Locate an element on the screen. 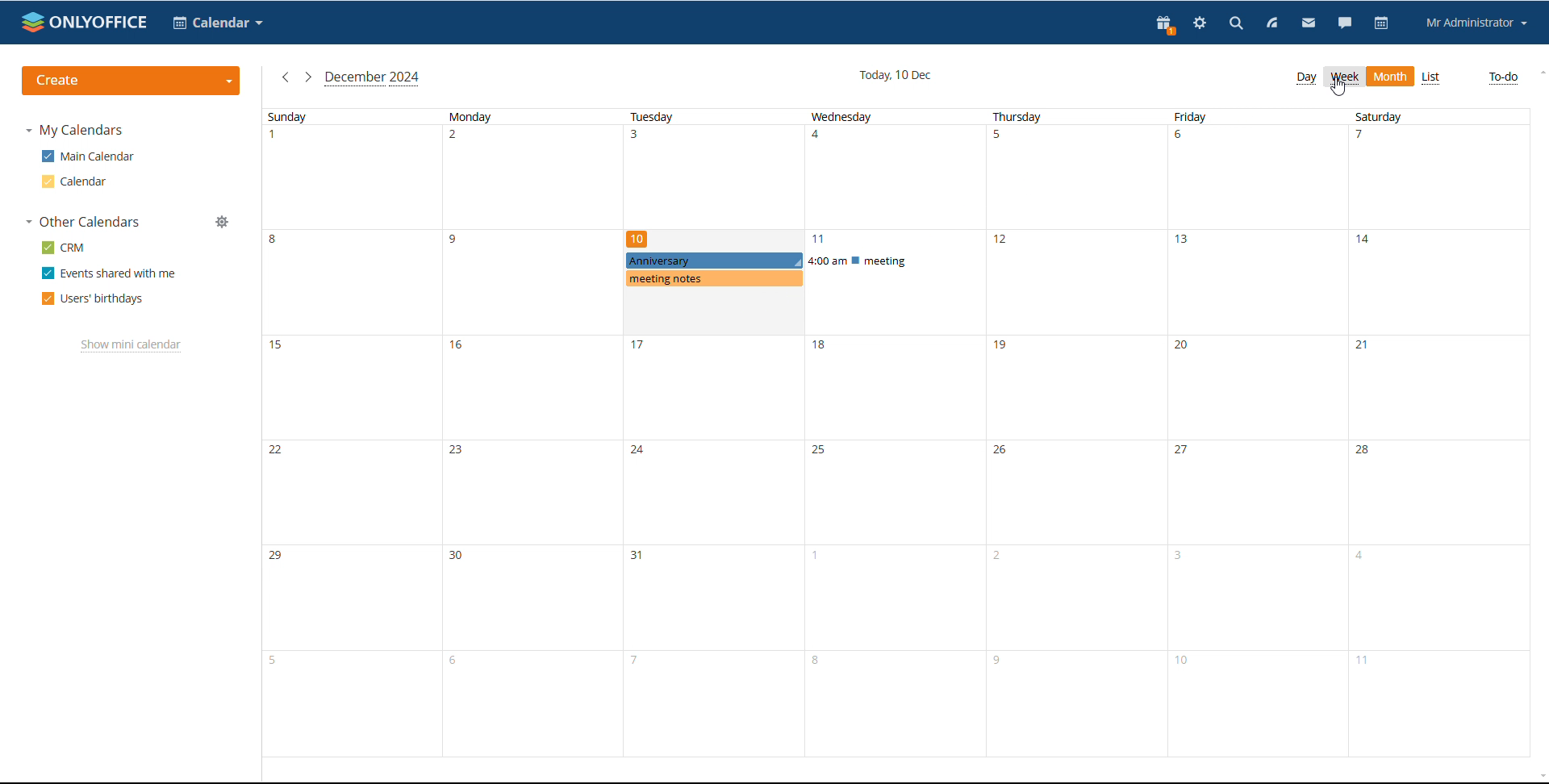  scroll up is located at coordinates (1539, 74).